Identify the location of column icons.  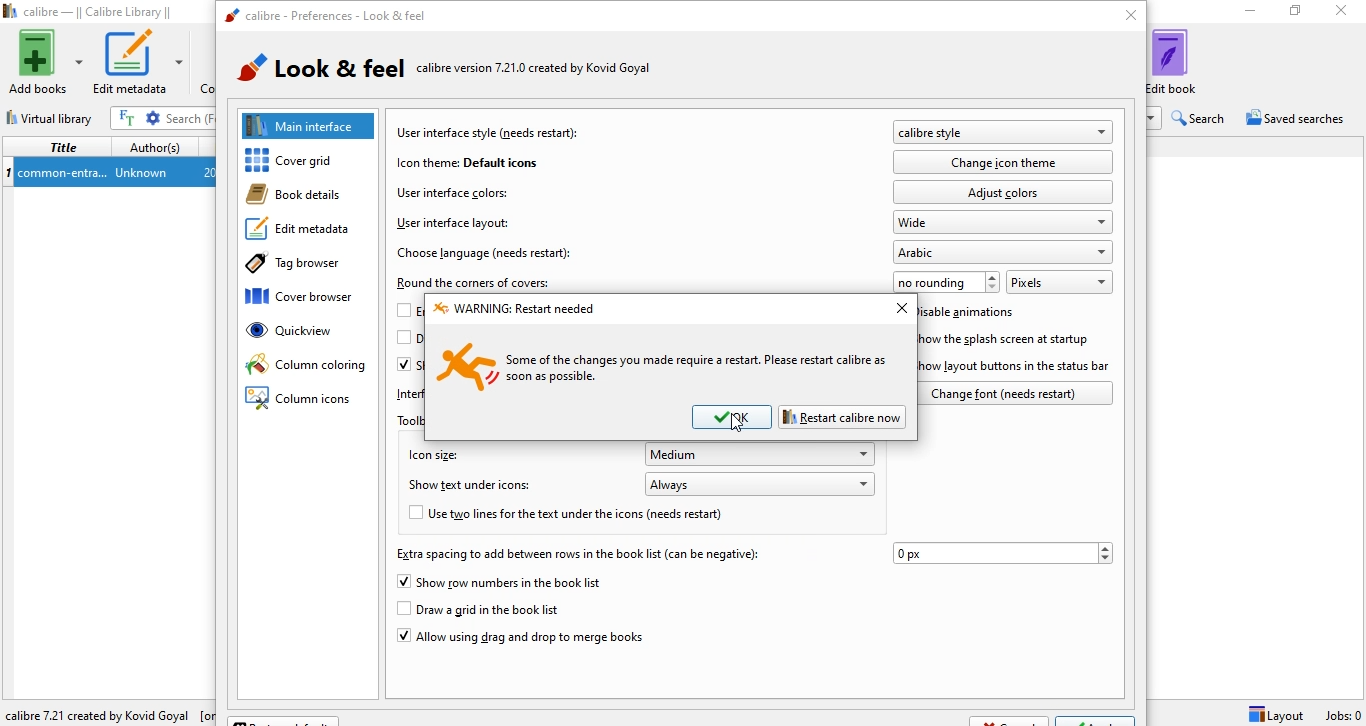
(301, 400).